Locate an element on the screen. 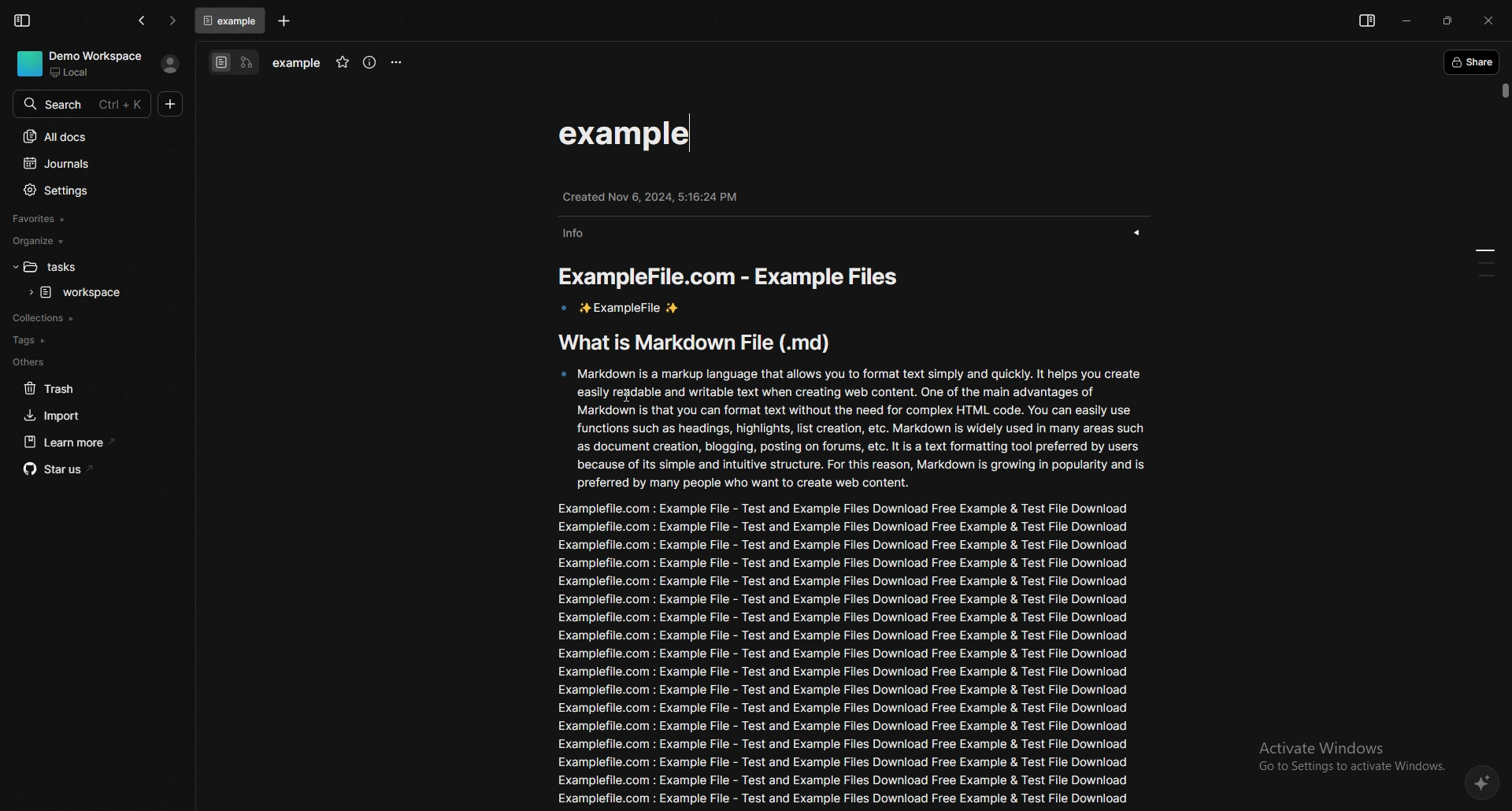  resize is located at coordinates (1448, 21).